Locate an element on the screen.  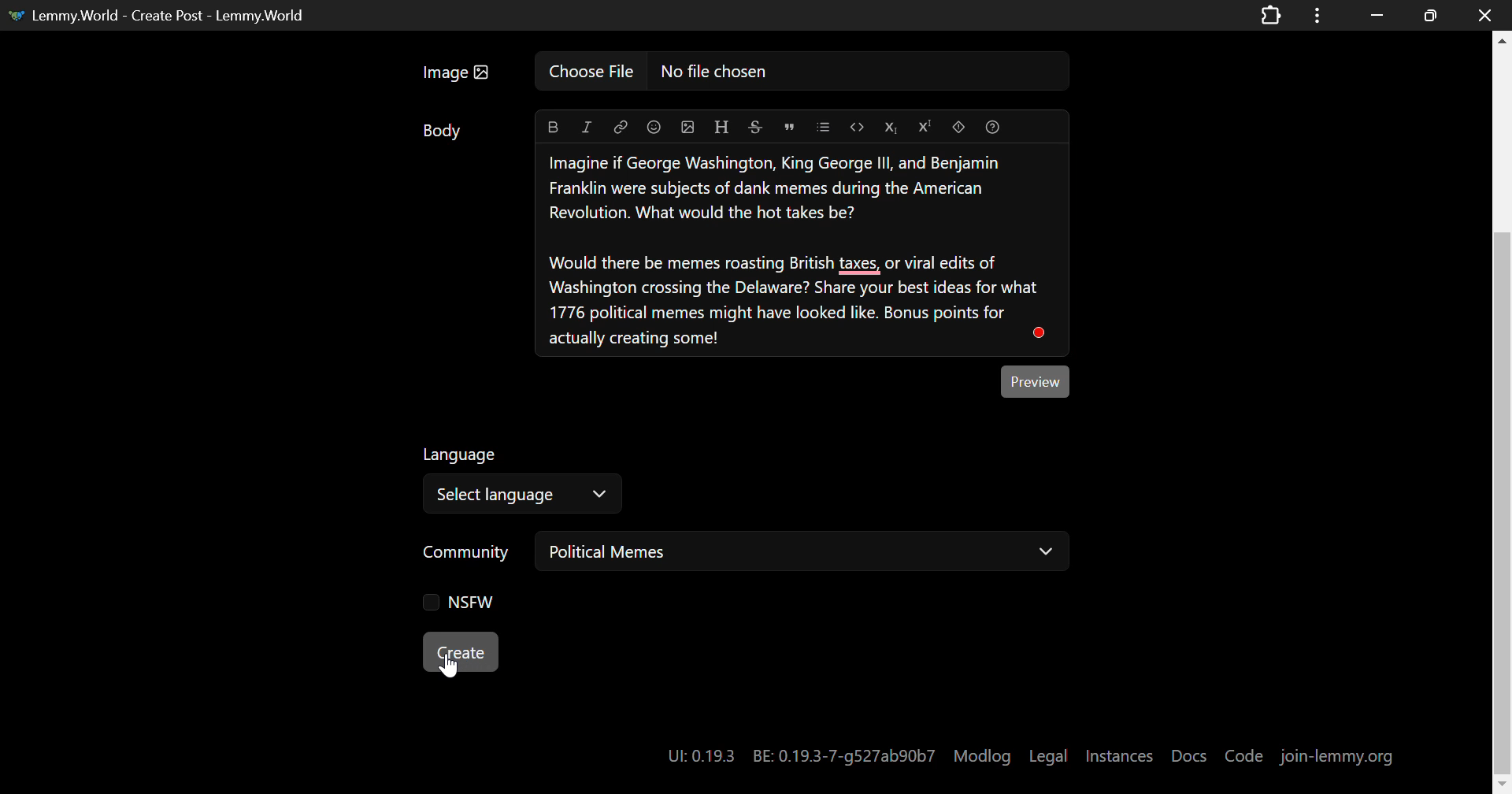
Italic is located at coordinates (586, 127).